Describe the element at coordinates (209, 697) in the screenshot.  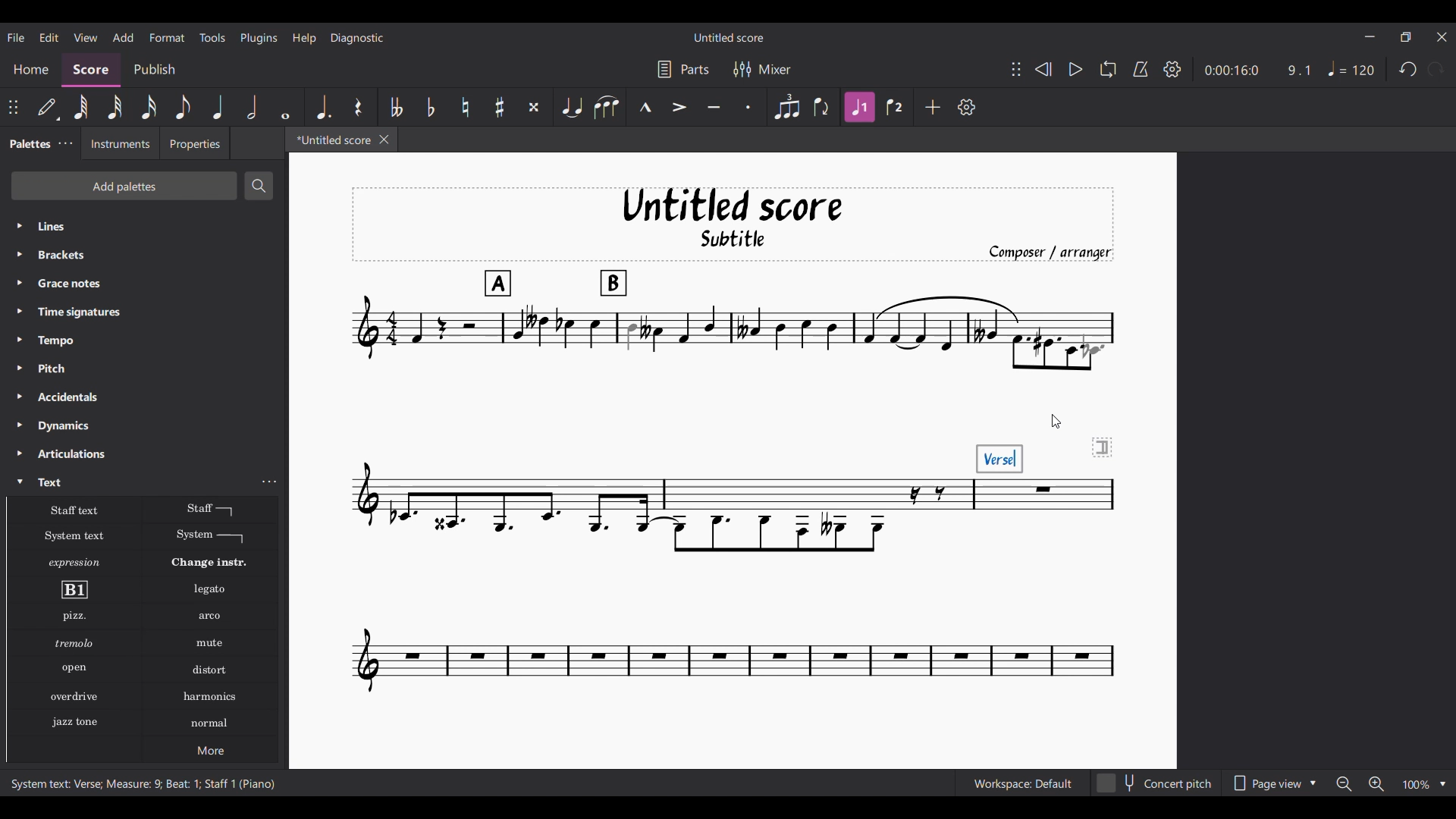
I see `Harmonics` at that location.